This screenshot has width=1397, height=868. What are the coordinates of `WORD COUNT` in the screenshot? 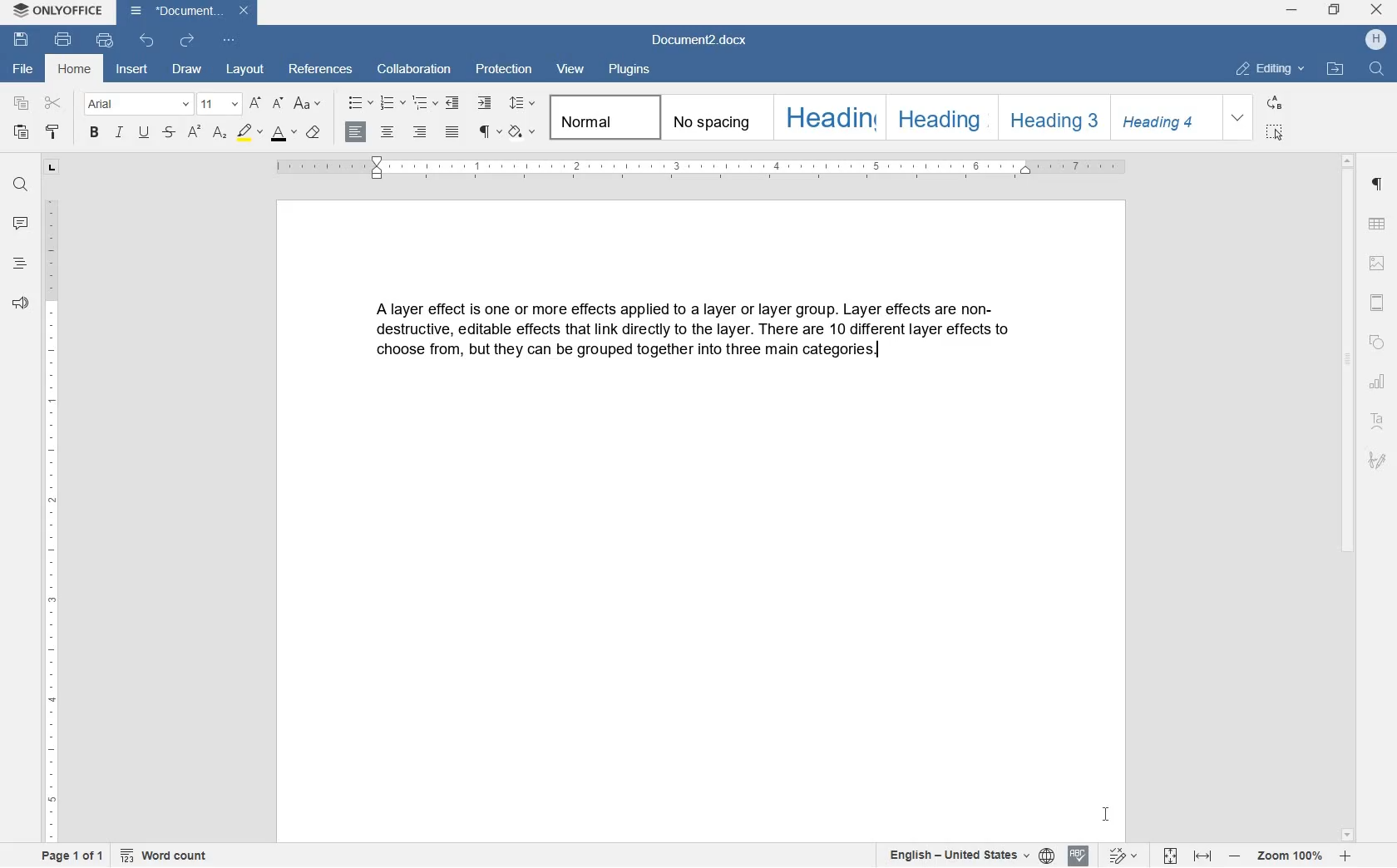 It's located at (165, 856).